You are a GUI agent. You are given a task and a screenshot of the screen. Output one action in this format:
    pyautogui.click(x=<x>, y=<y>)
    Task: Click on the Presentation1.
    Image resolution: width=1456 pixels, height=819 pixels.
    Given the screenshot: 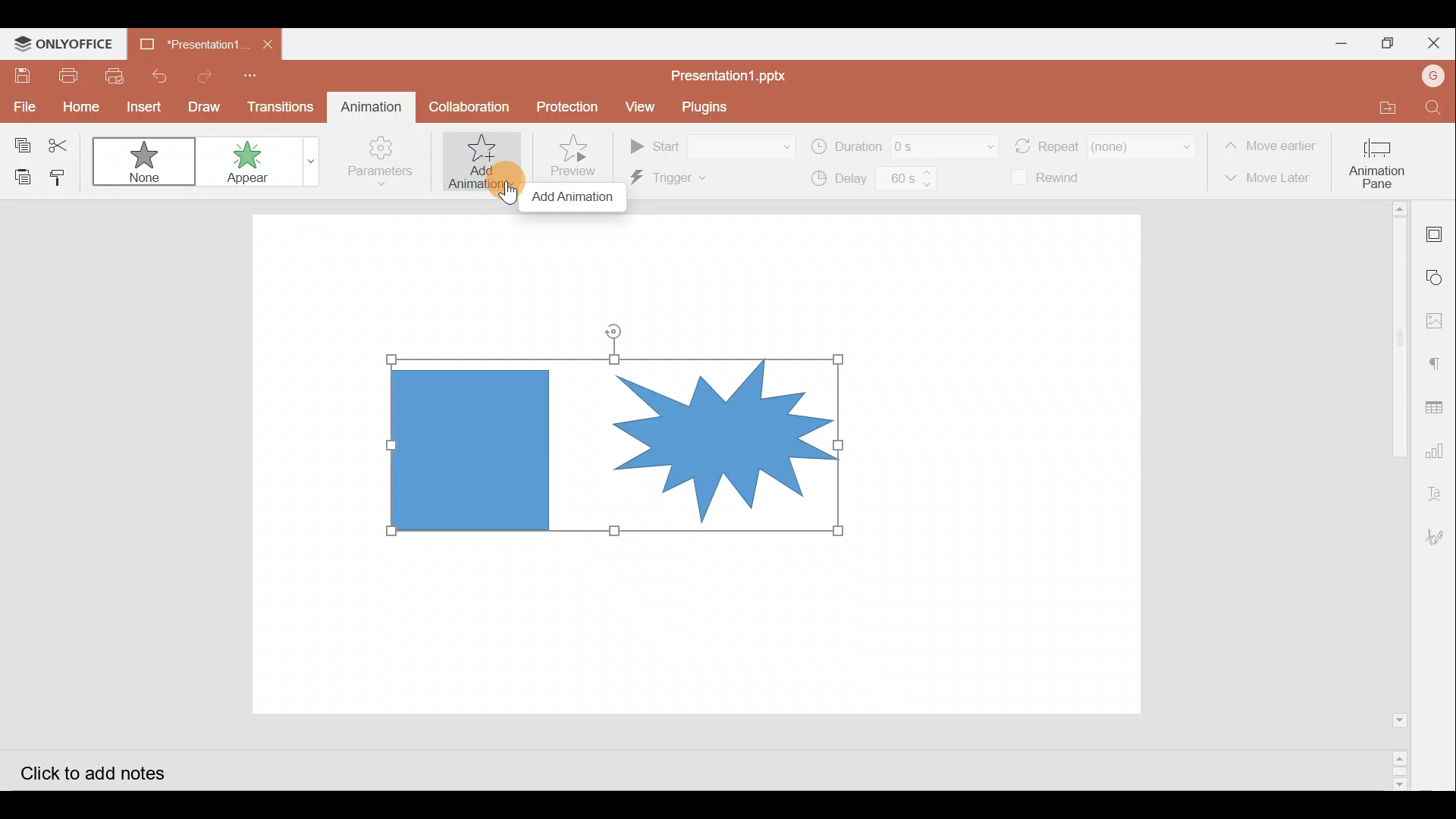 What is the action you would take?
    pyautogui.click(x=187, y=42)
    